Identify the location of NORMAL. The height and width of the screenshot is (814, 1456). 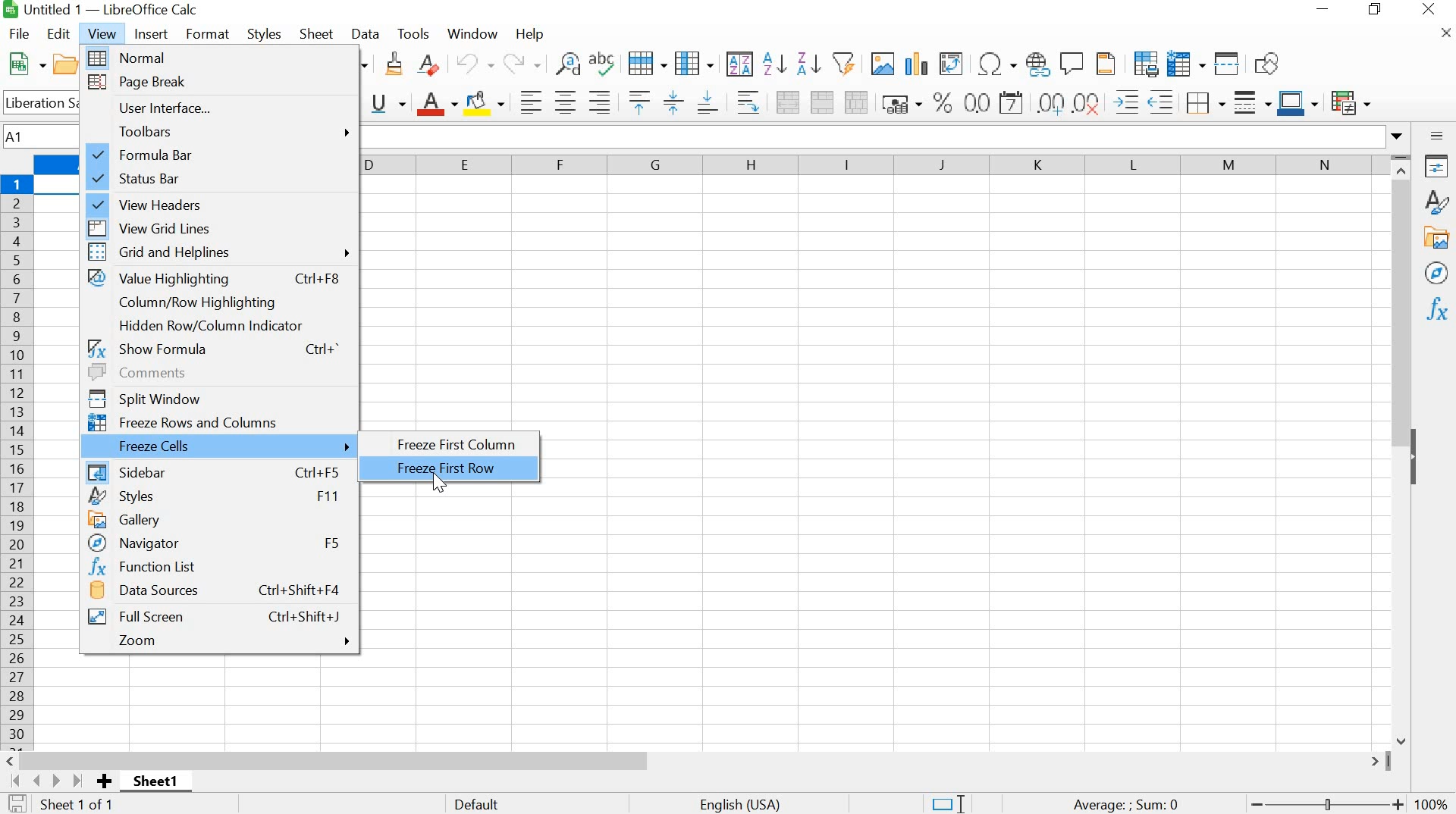
(222, 58).